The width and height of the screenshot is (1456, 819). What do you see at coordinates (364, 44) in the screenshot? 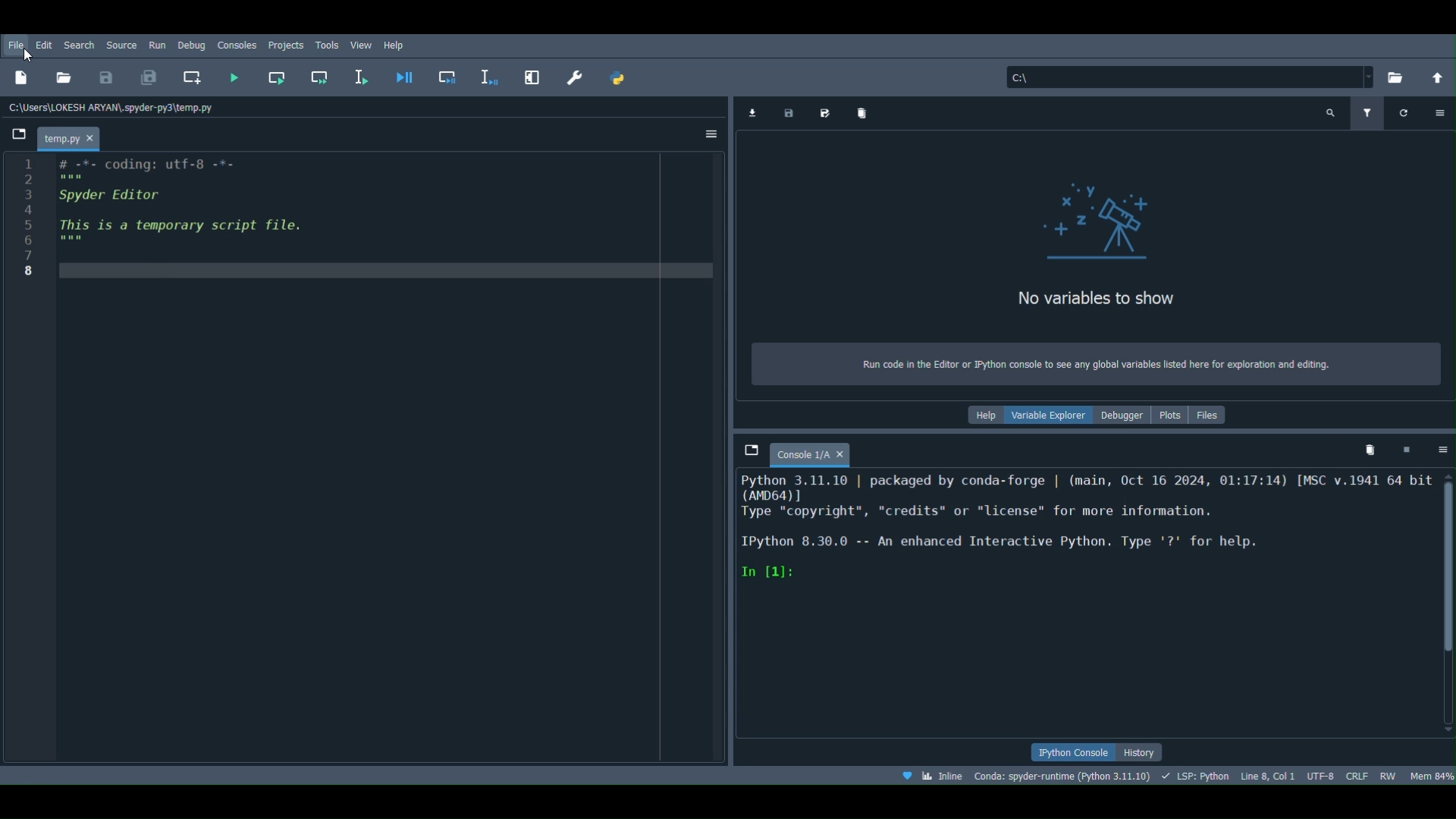
I see `View` at bounding box center [364, 44].